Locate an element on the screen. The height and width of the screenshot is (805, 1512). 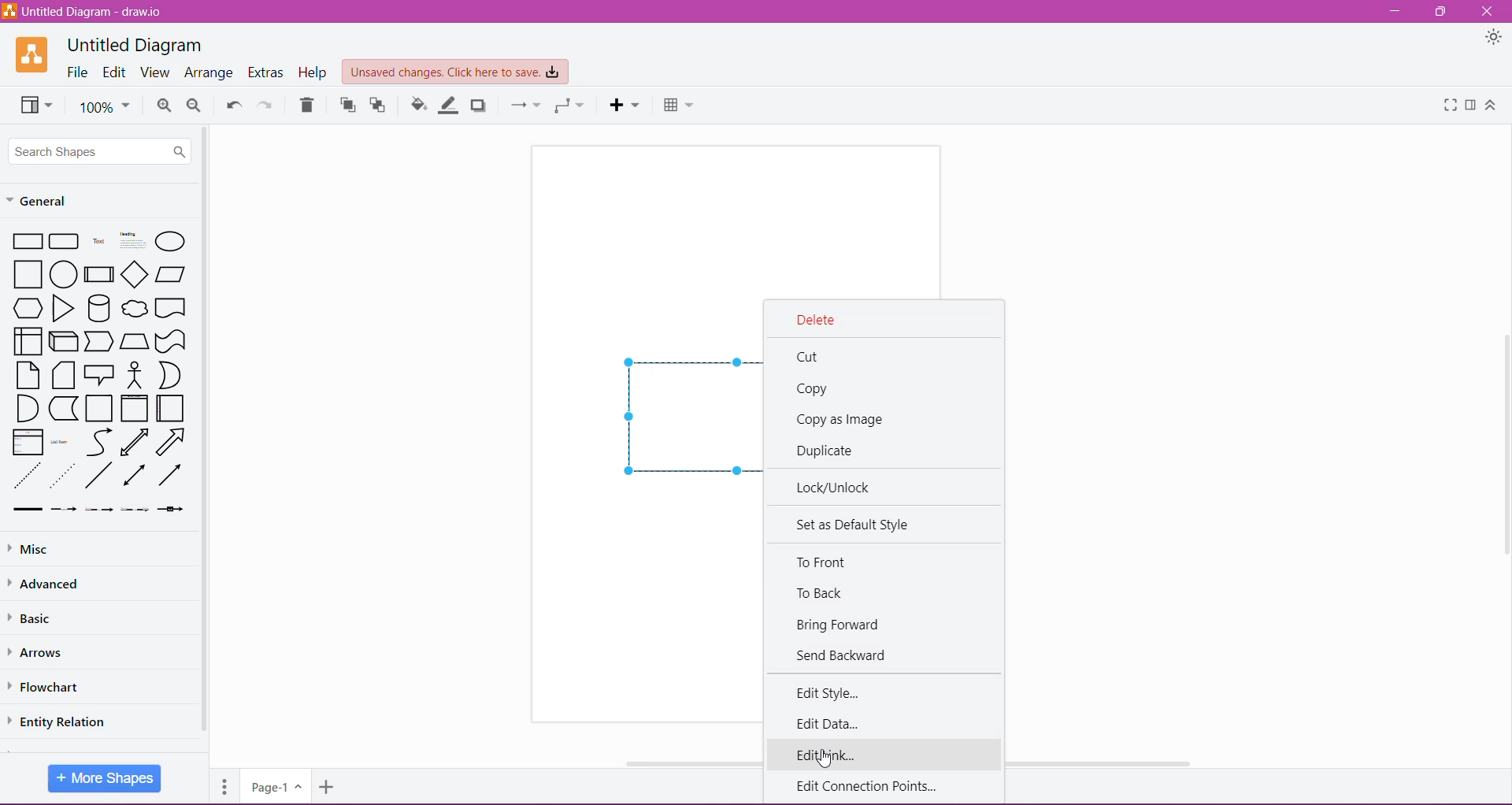
Connection is located at coordinates (525, 106).